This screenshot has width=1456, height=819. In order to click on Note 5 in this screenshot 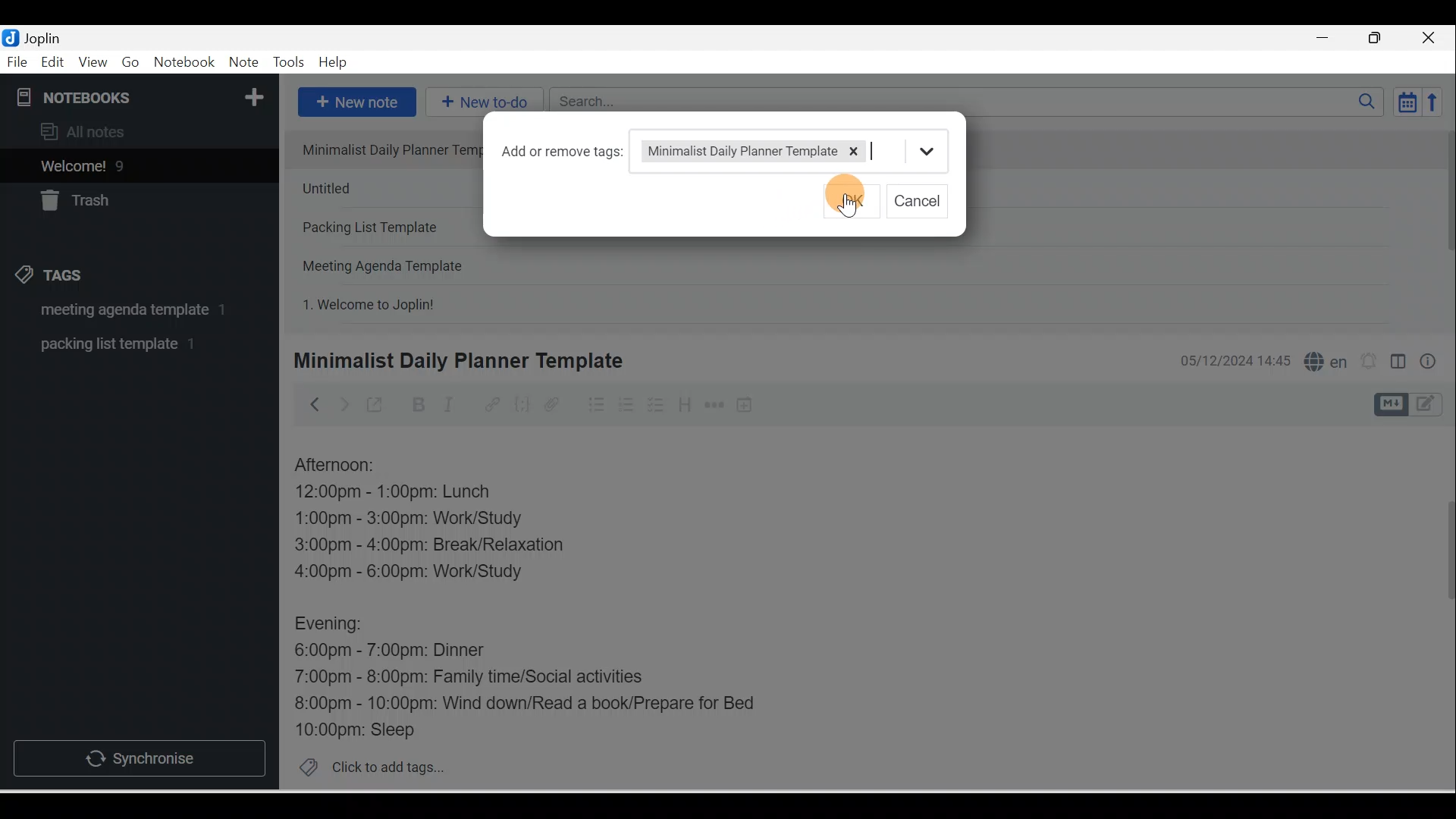, I will do `click(424, 303)`.